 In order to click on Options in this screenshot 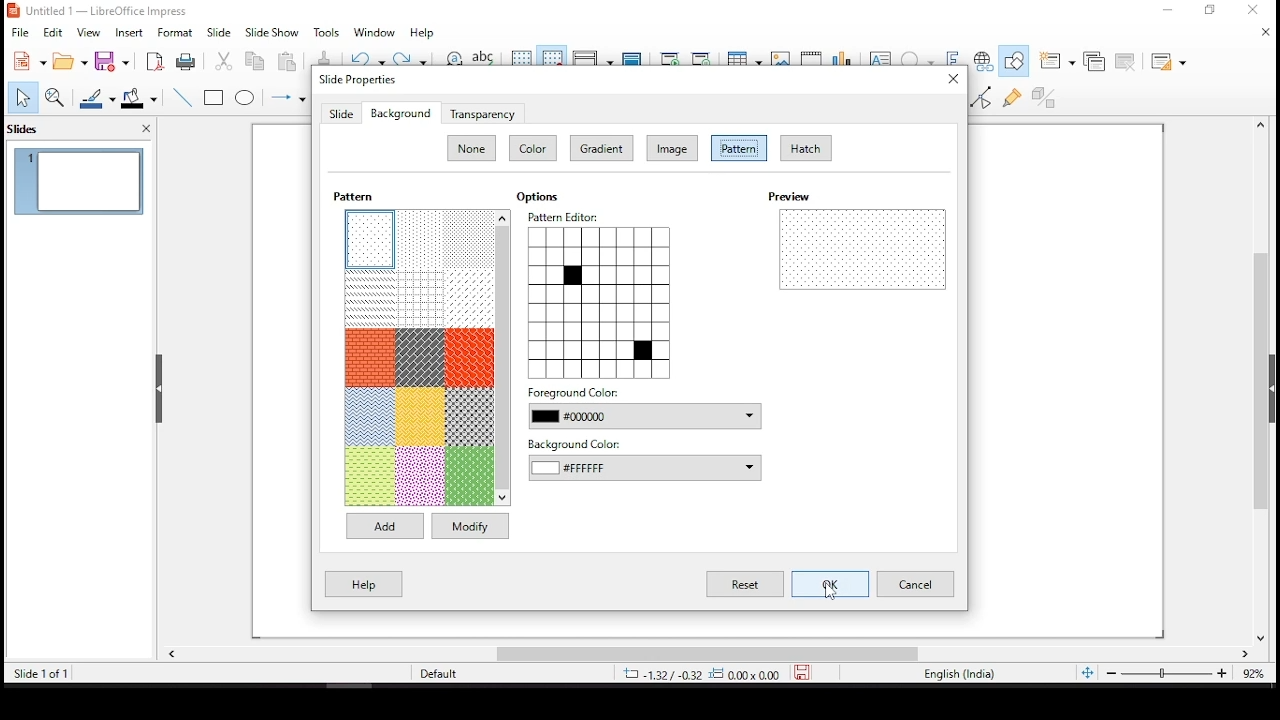, I will do `click(546, 197)`.